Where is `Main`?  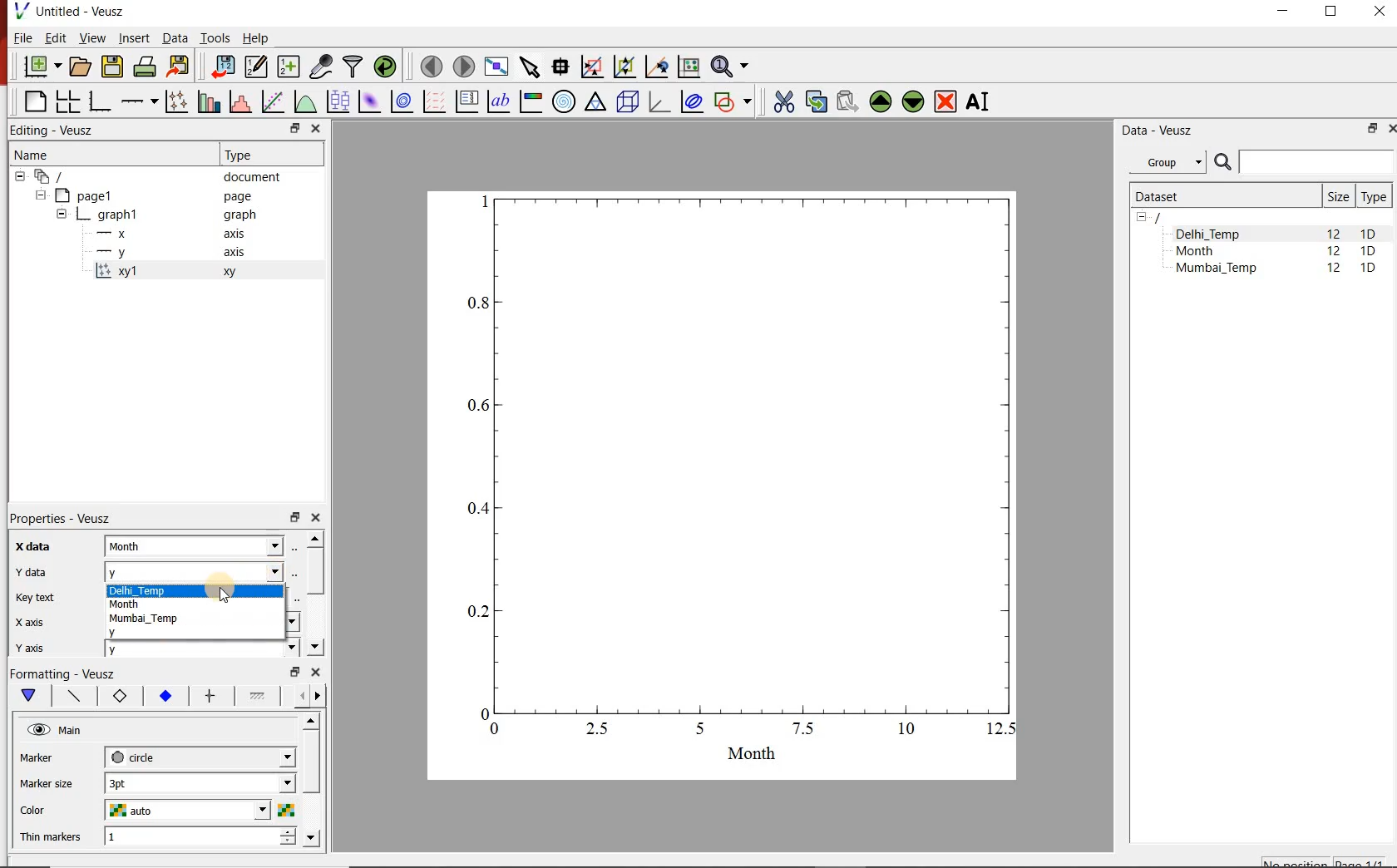 Main is located at coordinates (57, 730).